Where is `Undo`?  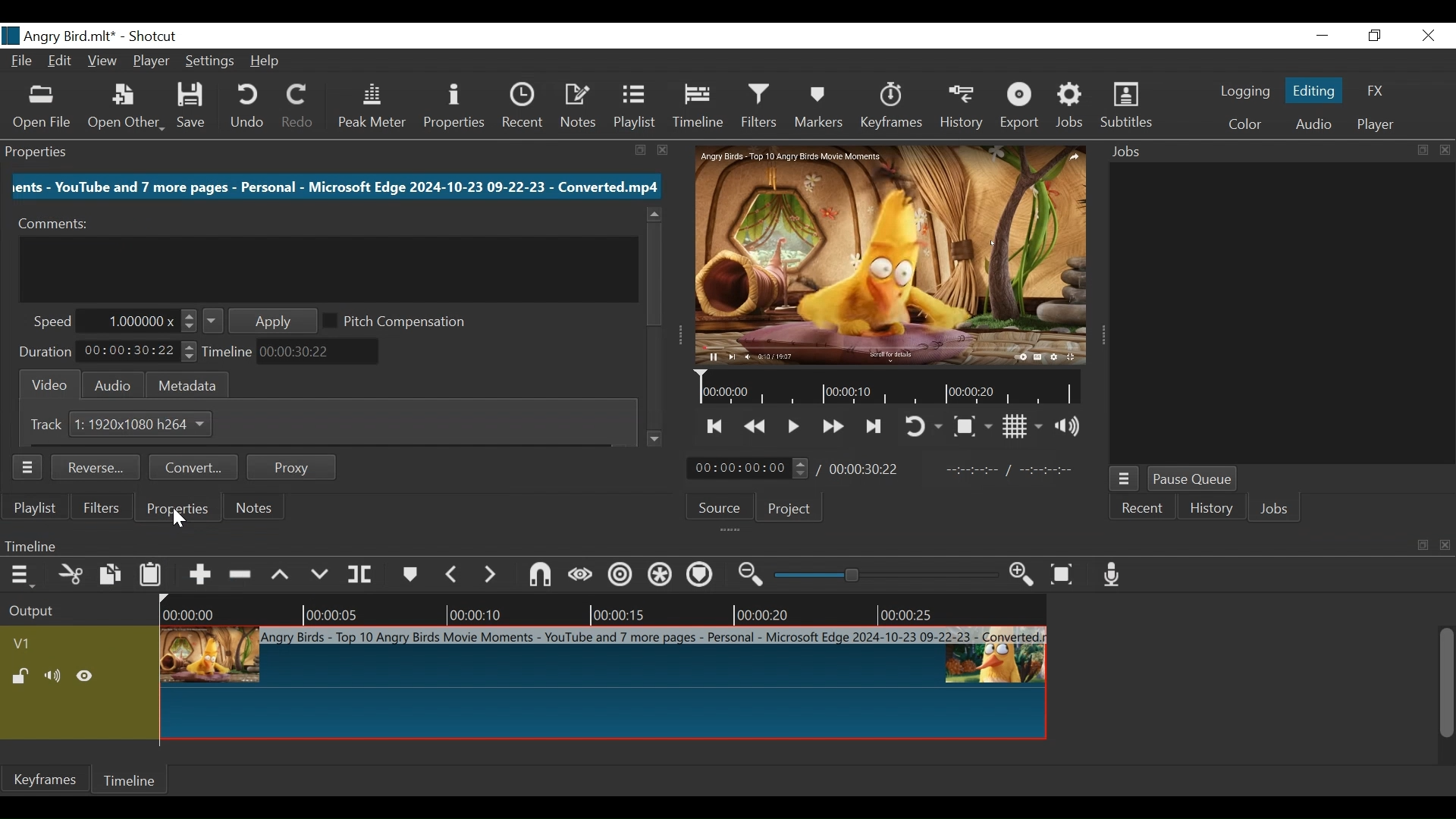 Undo is located at coordinates (246, 108).